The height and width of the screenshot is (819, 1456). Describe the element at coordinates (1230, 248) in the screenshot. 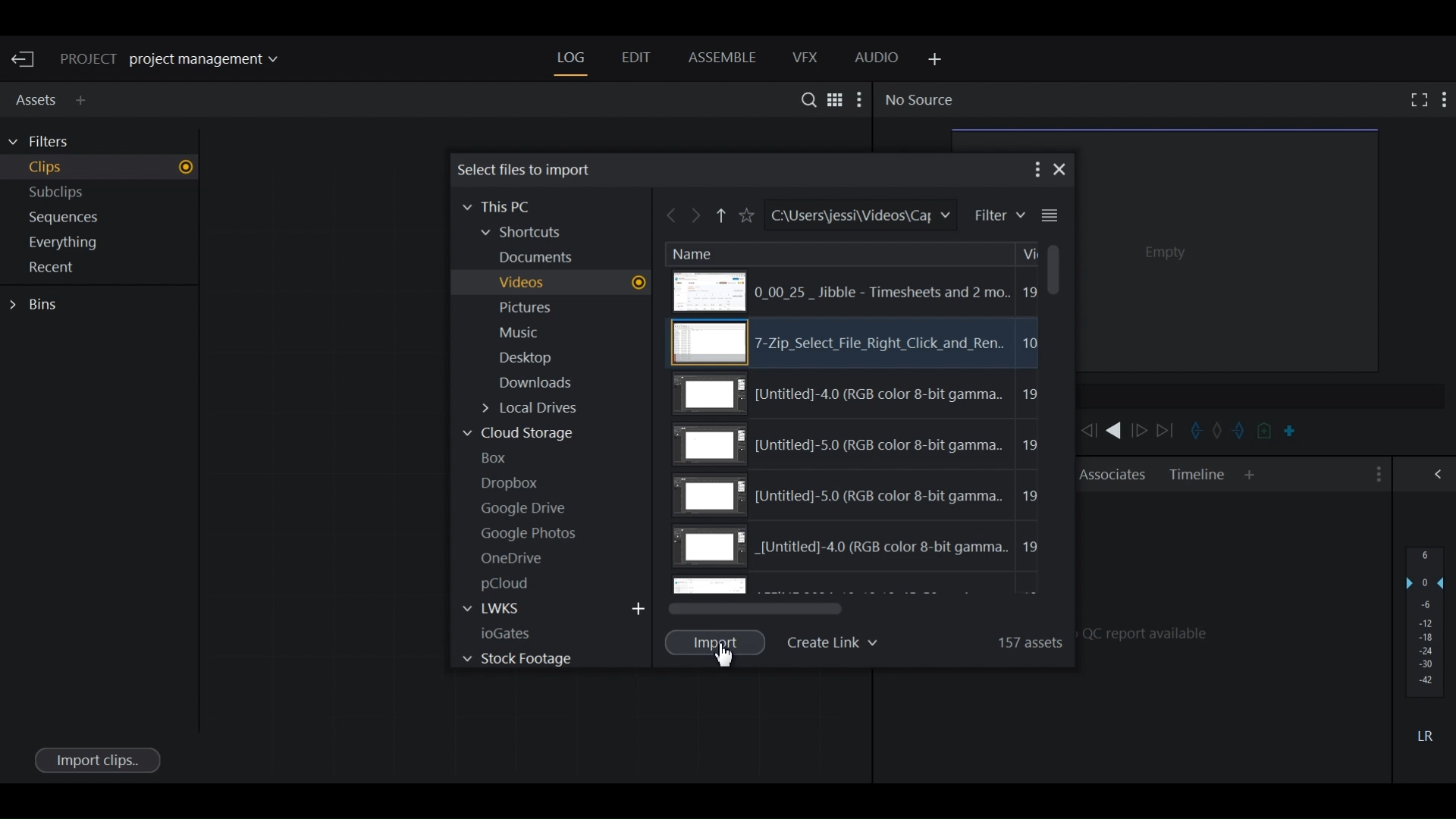

I see `Media Viewer` at that location.